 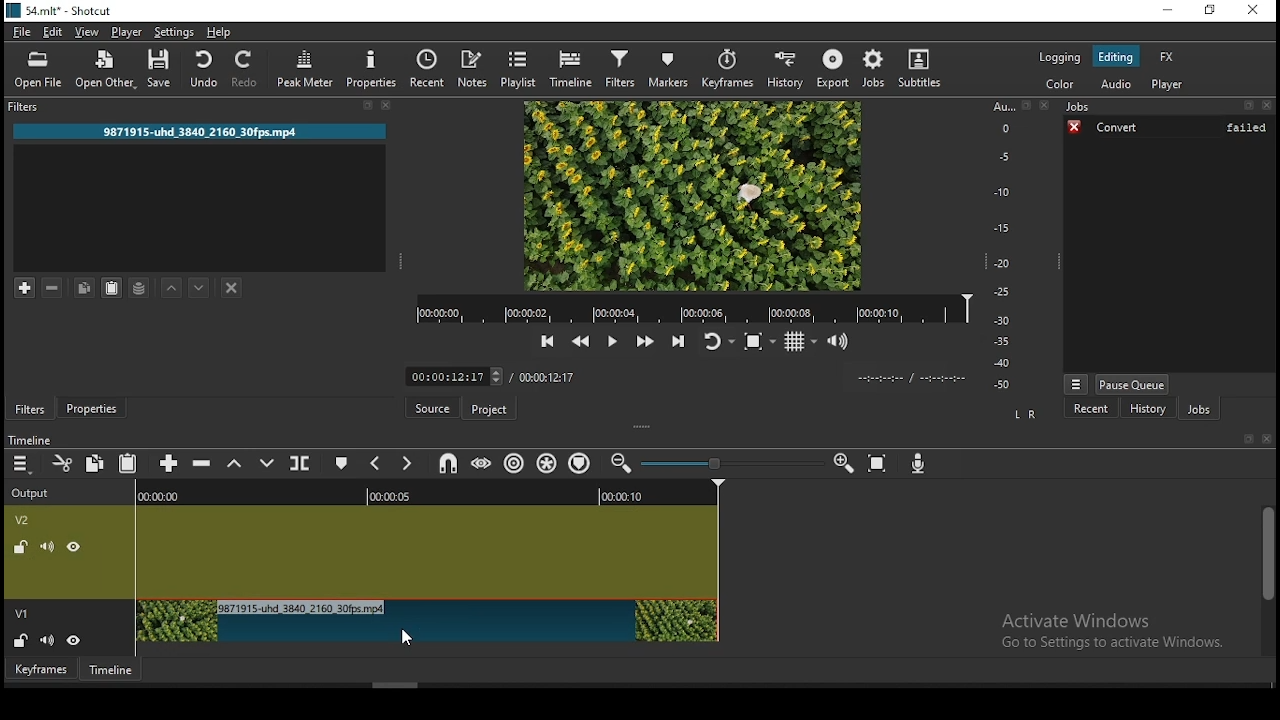 What do you see at coordinates (718, 343) in the screenshot?
I see `toggle player looping` at bounding box center [718, 343].